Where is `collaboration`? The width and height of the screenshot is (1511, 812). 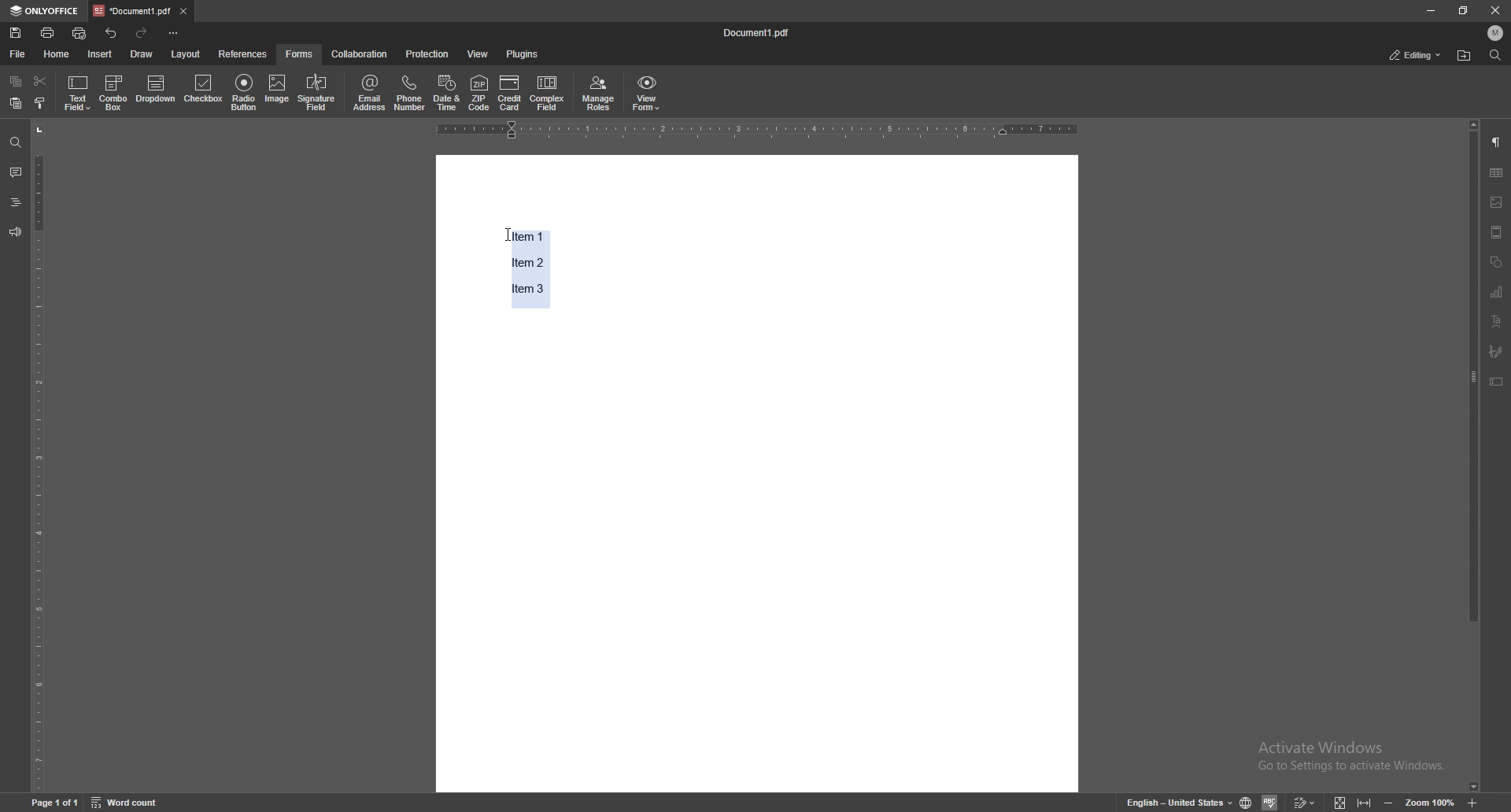
collaboration is located at coordinates (358, 54).